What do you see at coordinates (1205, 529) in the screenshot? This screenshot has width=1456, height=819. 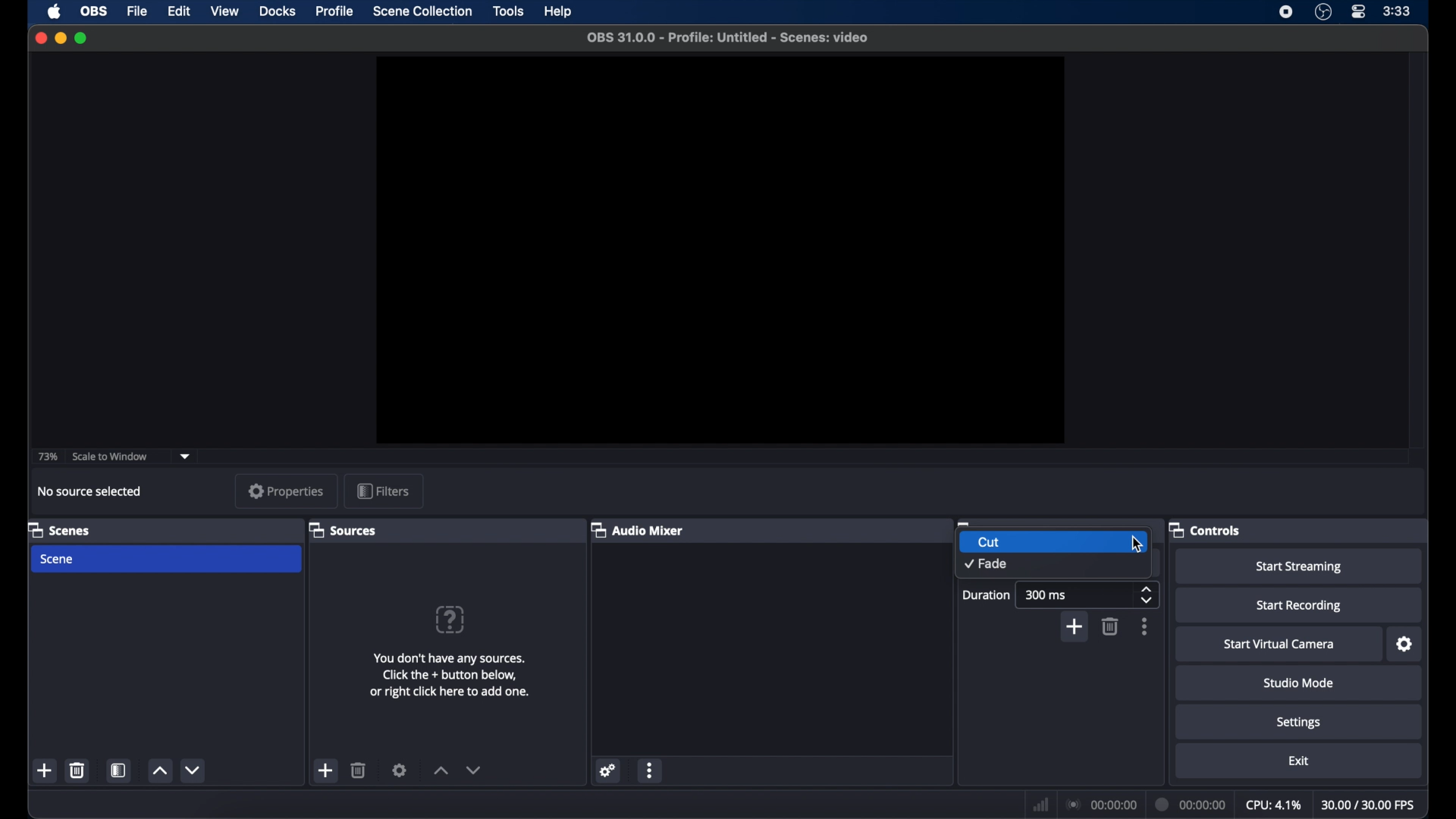 I see `controls` at bounding box center [1205, 529].